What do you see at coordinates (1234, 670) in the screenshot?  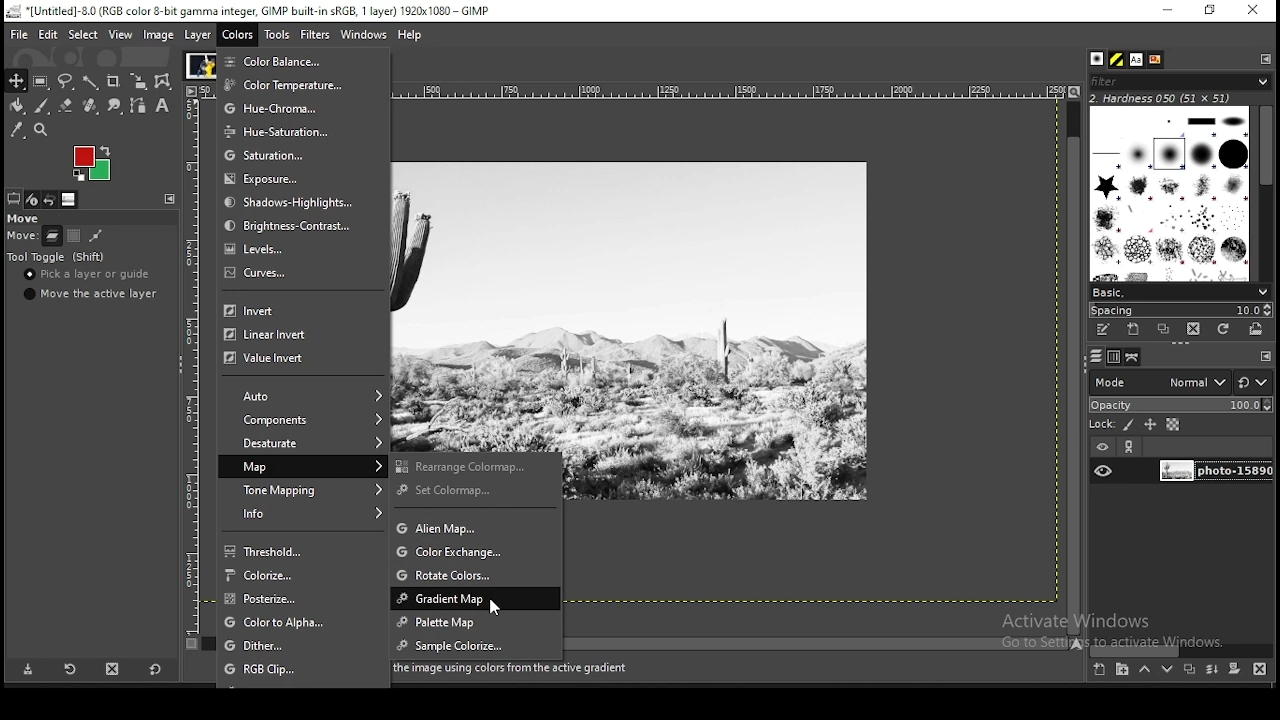 I see `mask layer` at bounding box center [1234, 670].